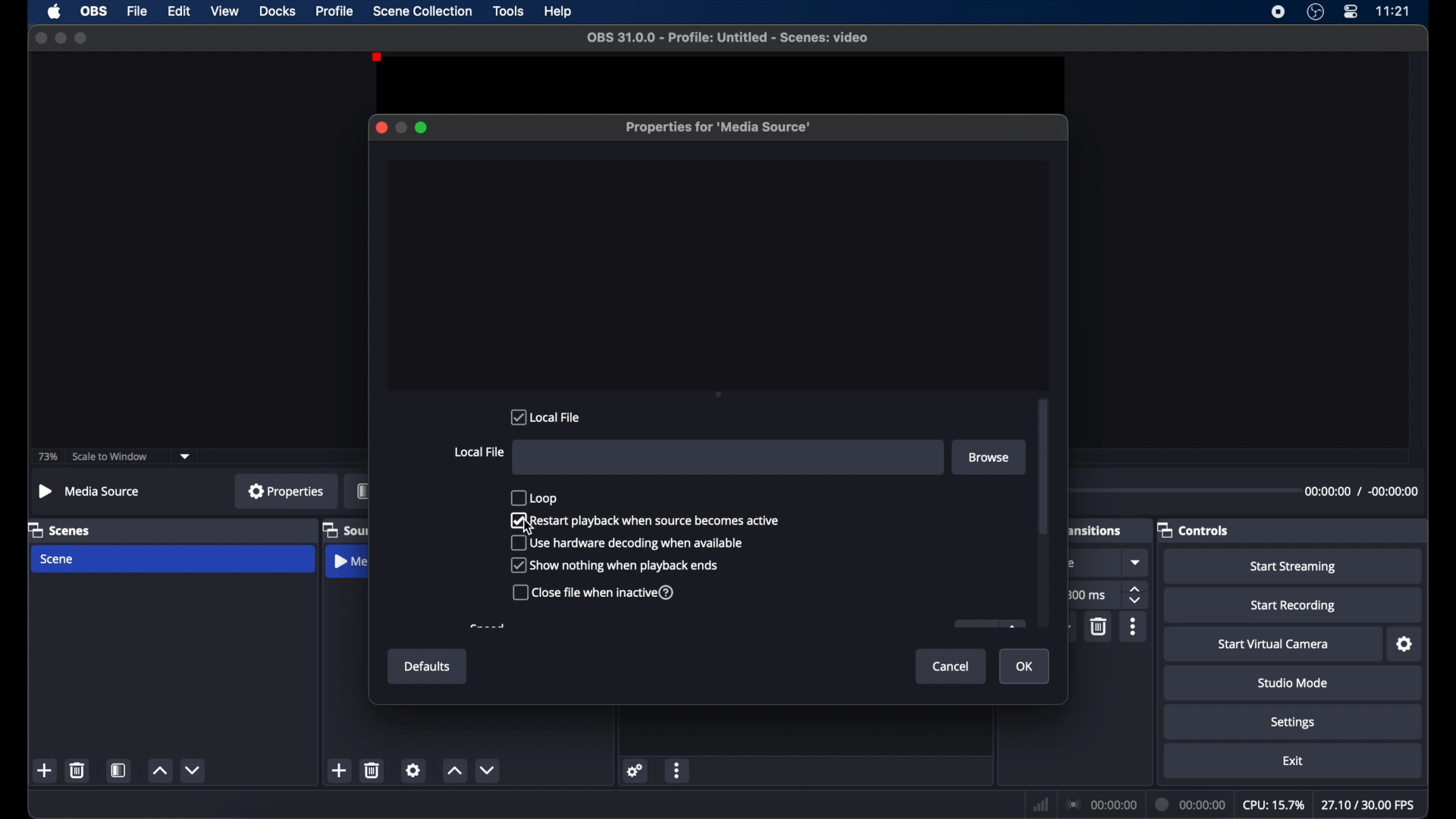 Image resolution: width=1456 pixels, height=819 pixels. What do you see at coordinates (110, 457) in the screenshot?
I see `scale to window` at bounding box center [110, 457].